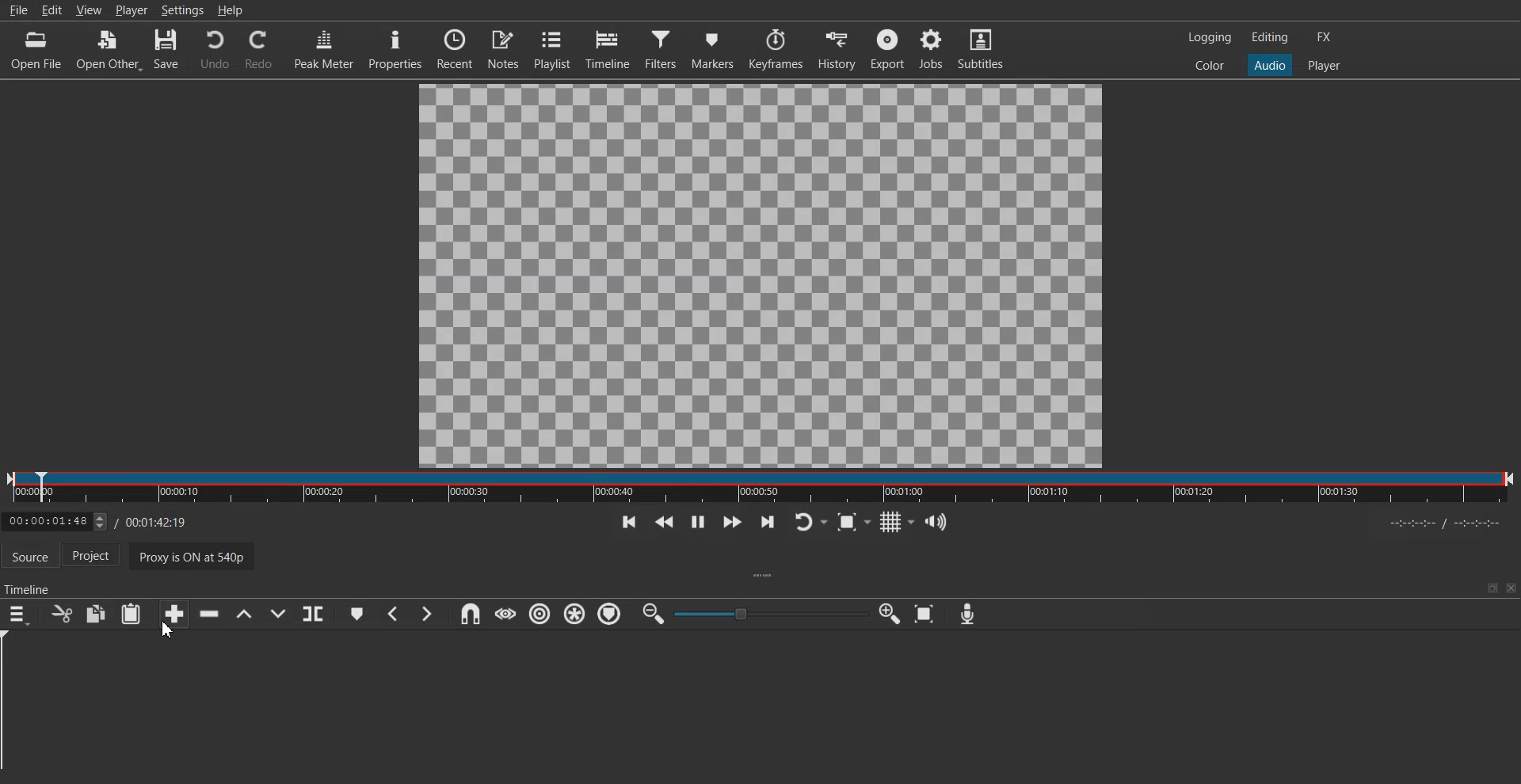 The width and height of the screenshot is (1521, 784). I want to click on Show the volume control, so click(936, 521).